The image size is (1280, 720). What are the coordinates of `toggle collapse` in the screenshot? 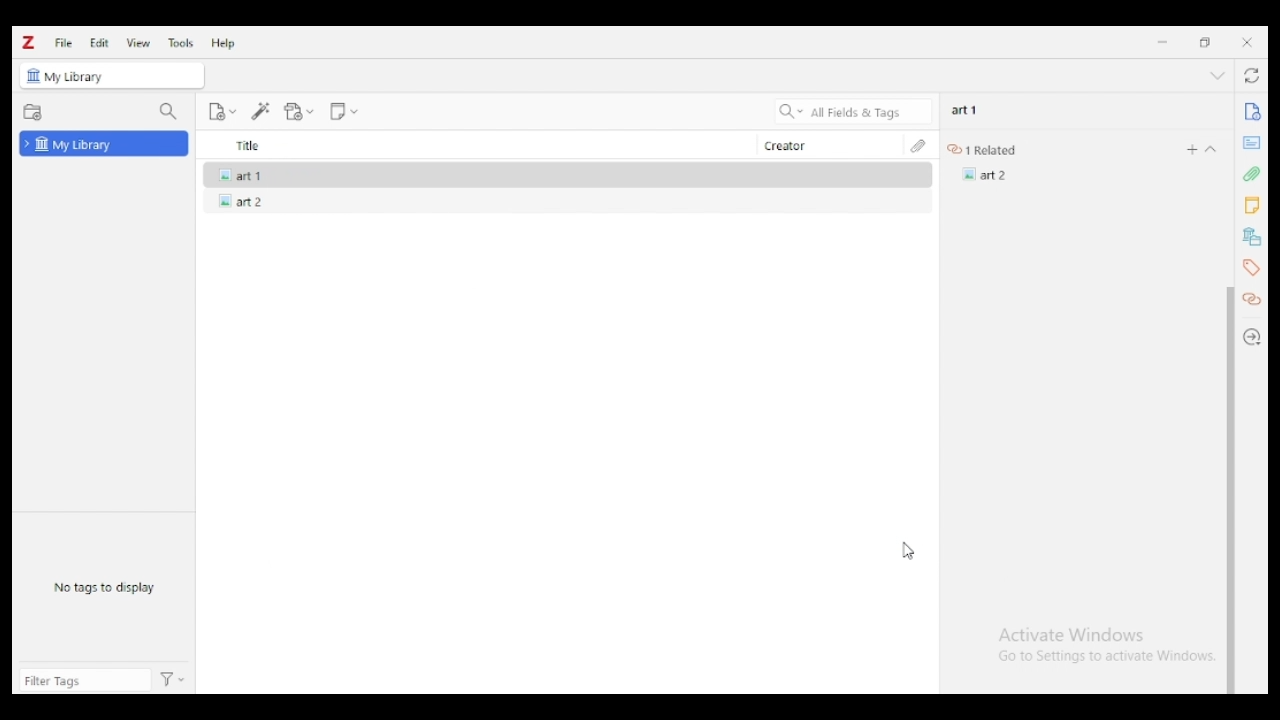 It's located at (1218, 75).